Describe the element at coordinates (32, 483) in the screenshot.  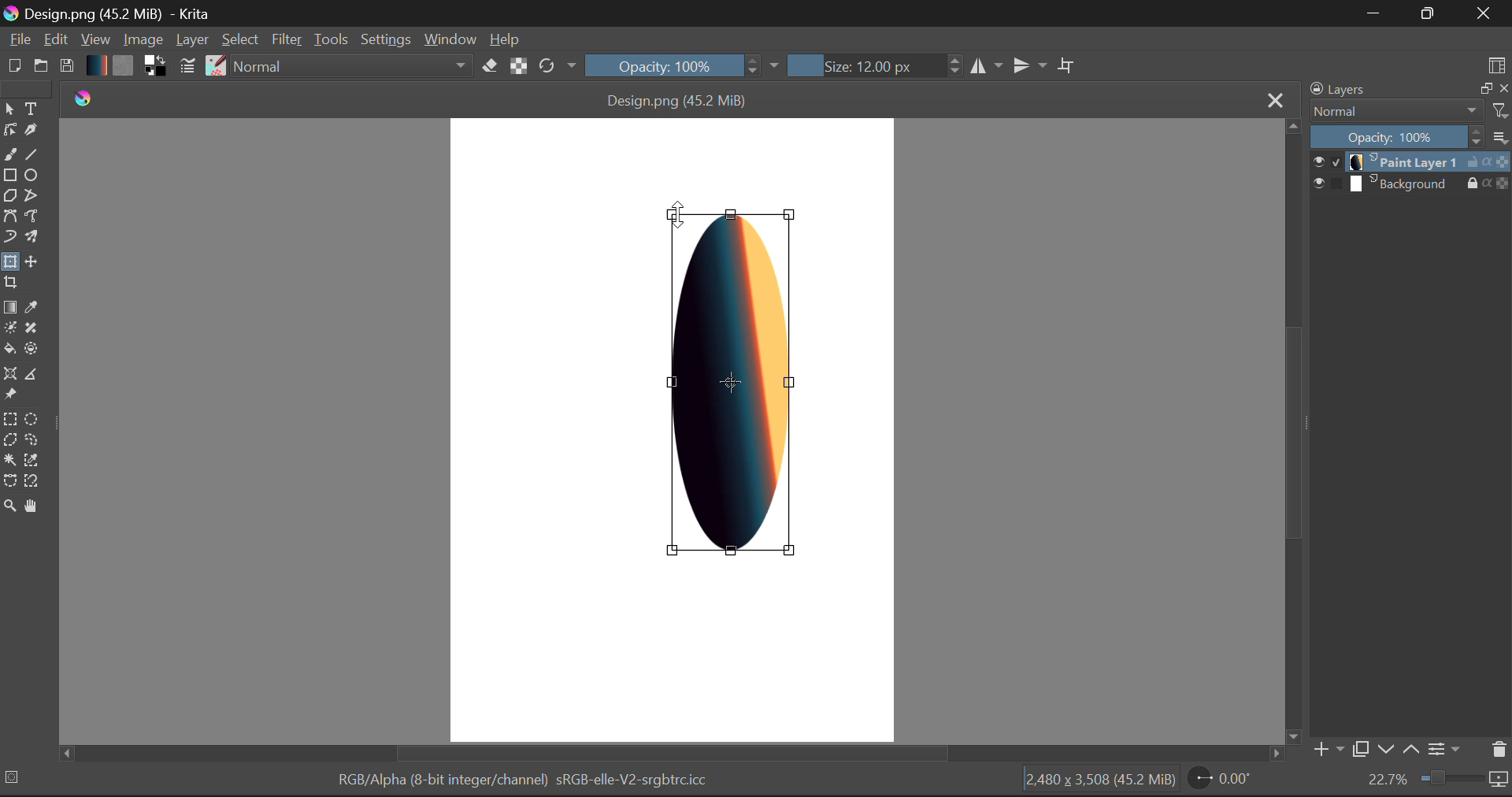
I see `Magnetic Selection` at that location.